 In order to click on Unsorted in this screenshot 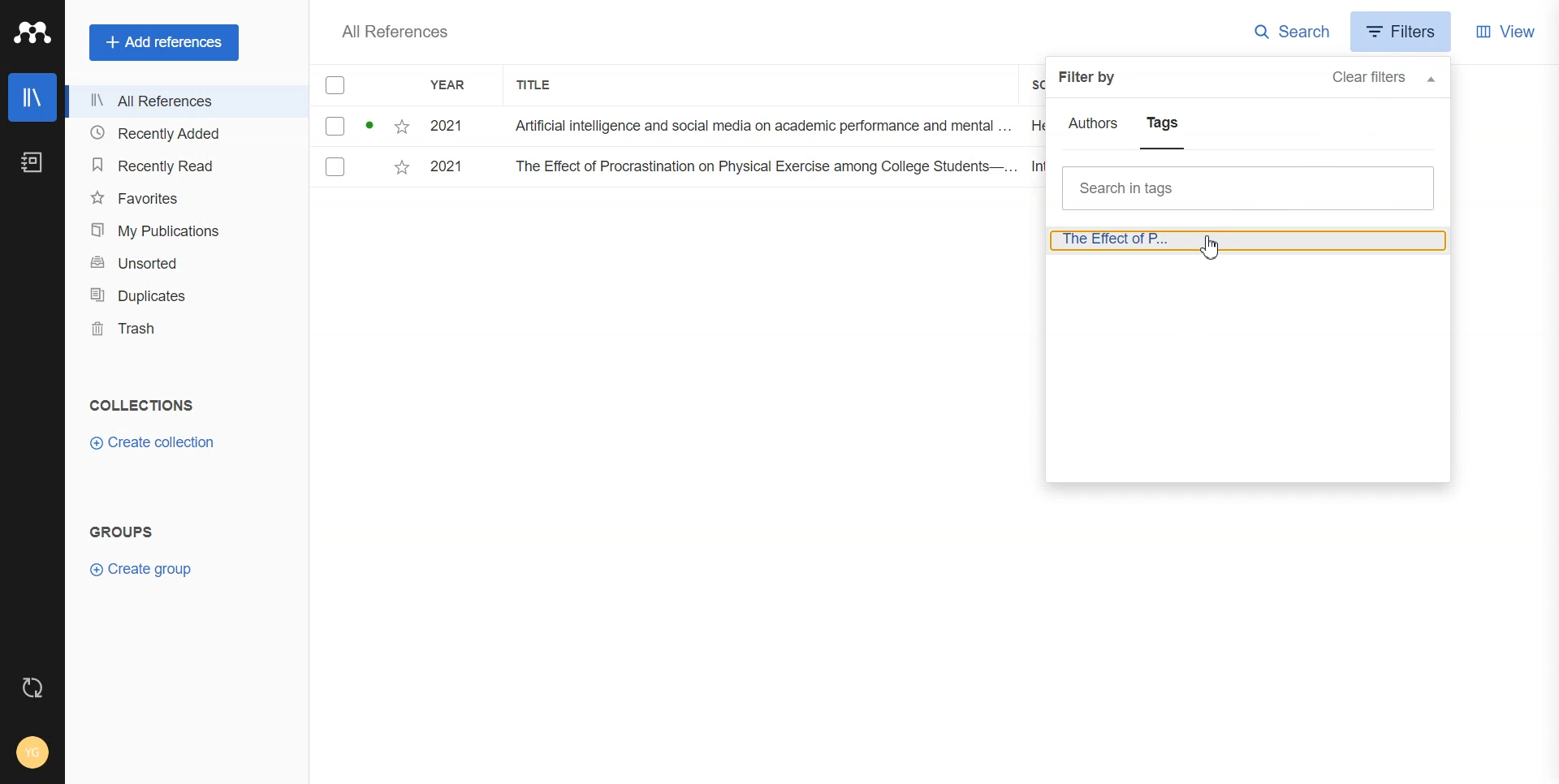, I will do `click(177, 263)`.